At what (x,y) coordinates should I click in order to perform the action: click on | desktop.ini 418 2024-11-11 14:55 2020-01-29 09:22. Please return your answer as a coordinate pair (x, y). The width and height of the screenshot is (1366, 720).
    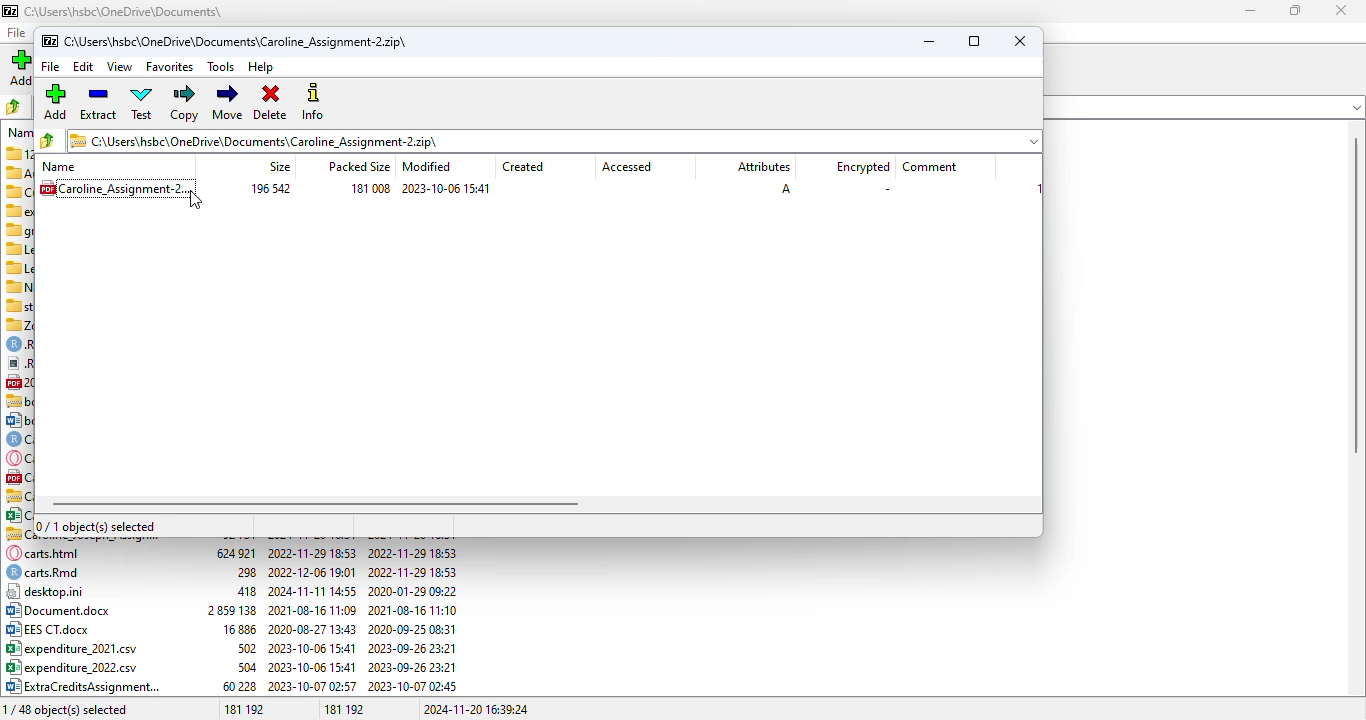
    Looking at the image, I should click on (231, 591).